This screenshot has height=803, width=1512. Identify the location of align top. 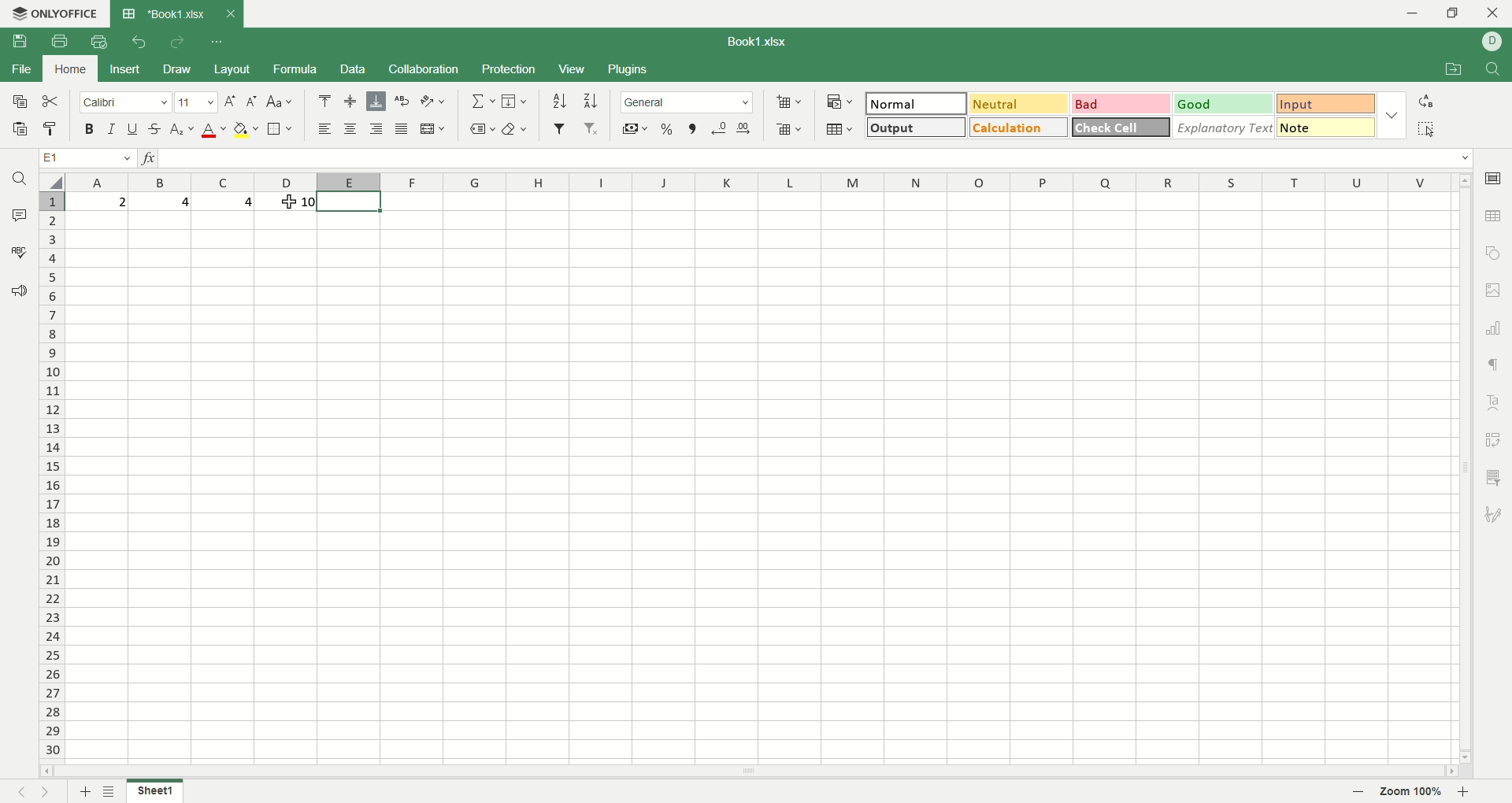
(327, 99).